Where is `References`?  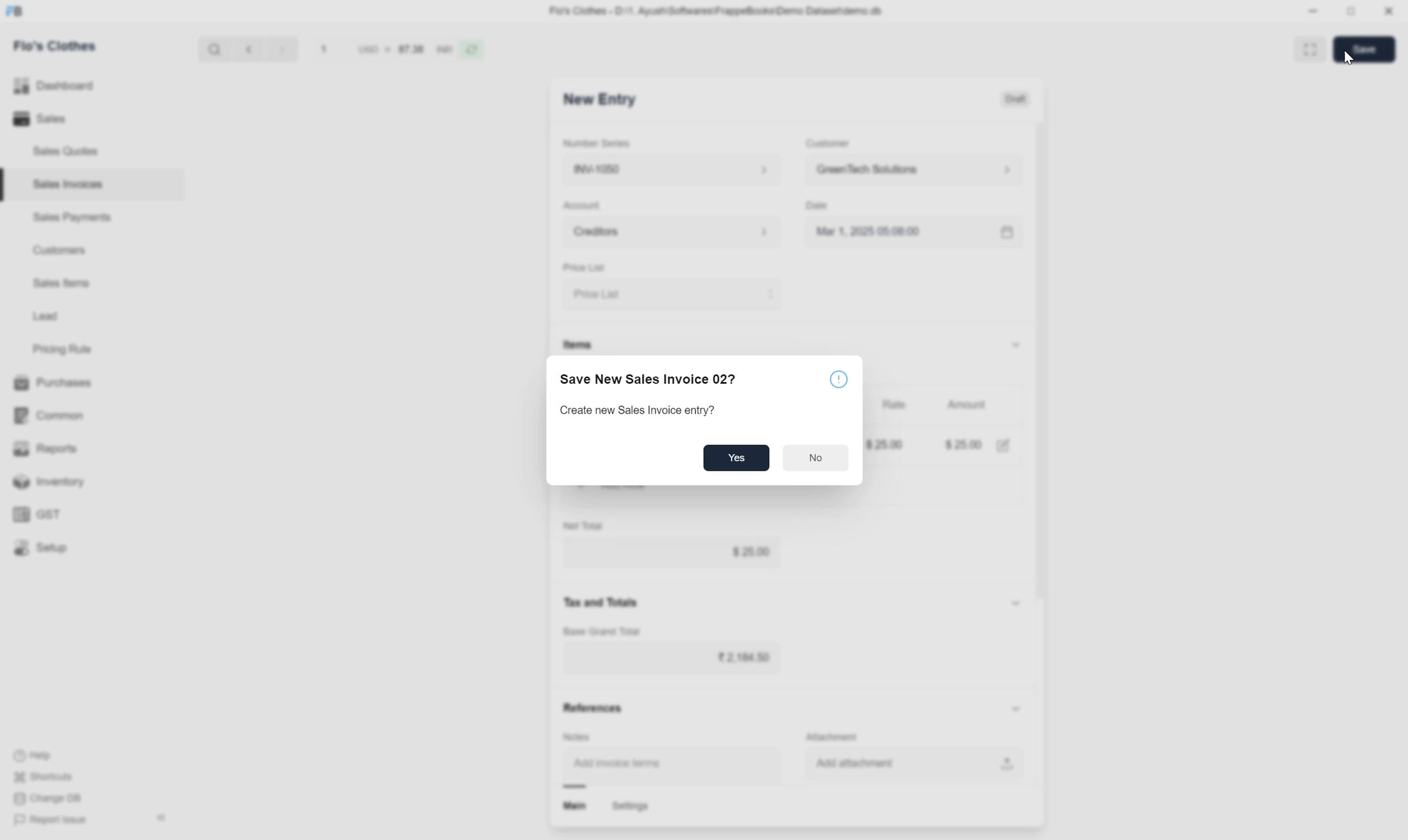 References is located at coordinates (592, 710).